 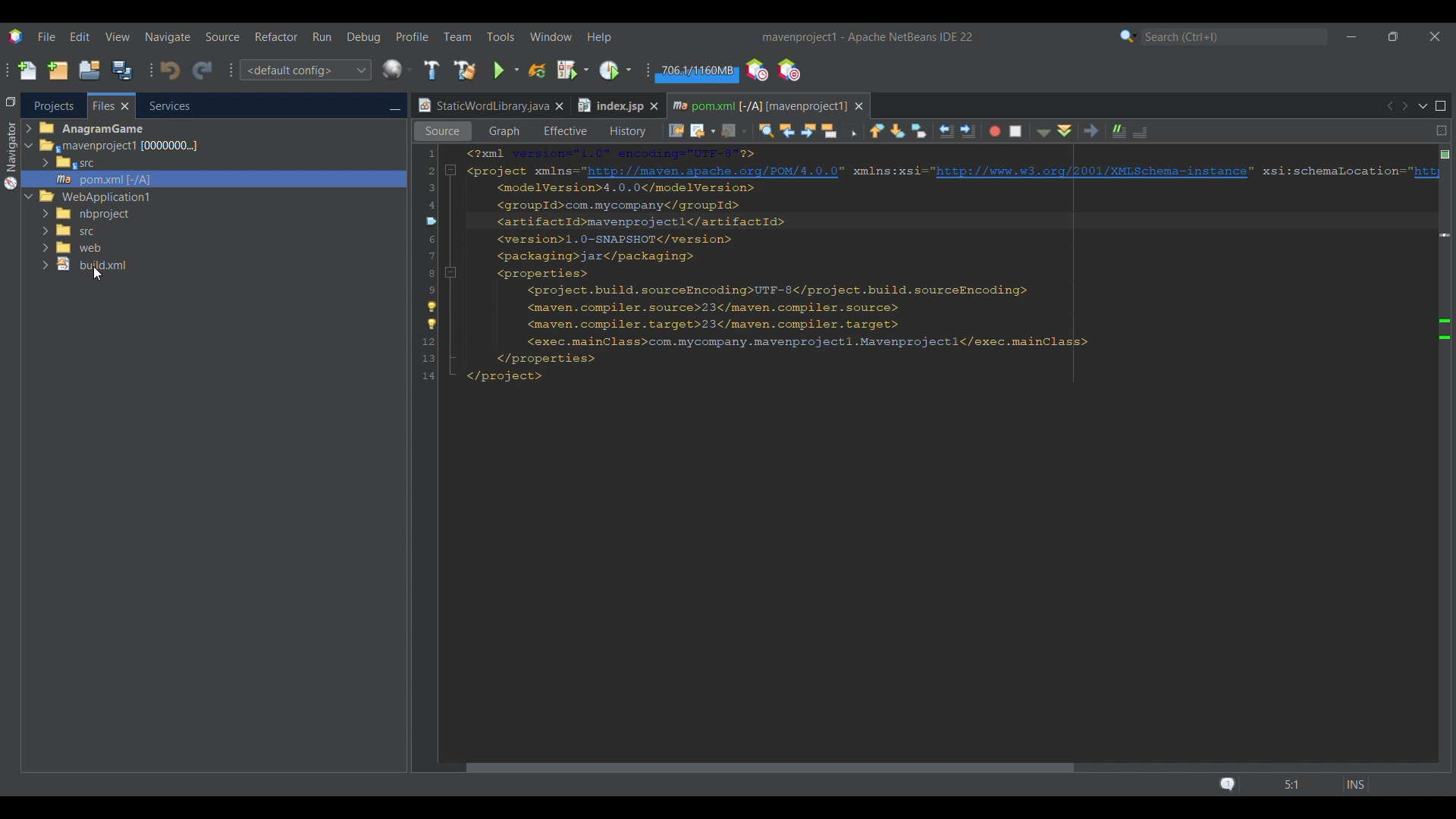 What do you see at coordinates (1423, 107) in the screenshot?
I see `Show opened documents list` at bounding box center [1423, 107].